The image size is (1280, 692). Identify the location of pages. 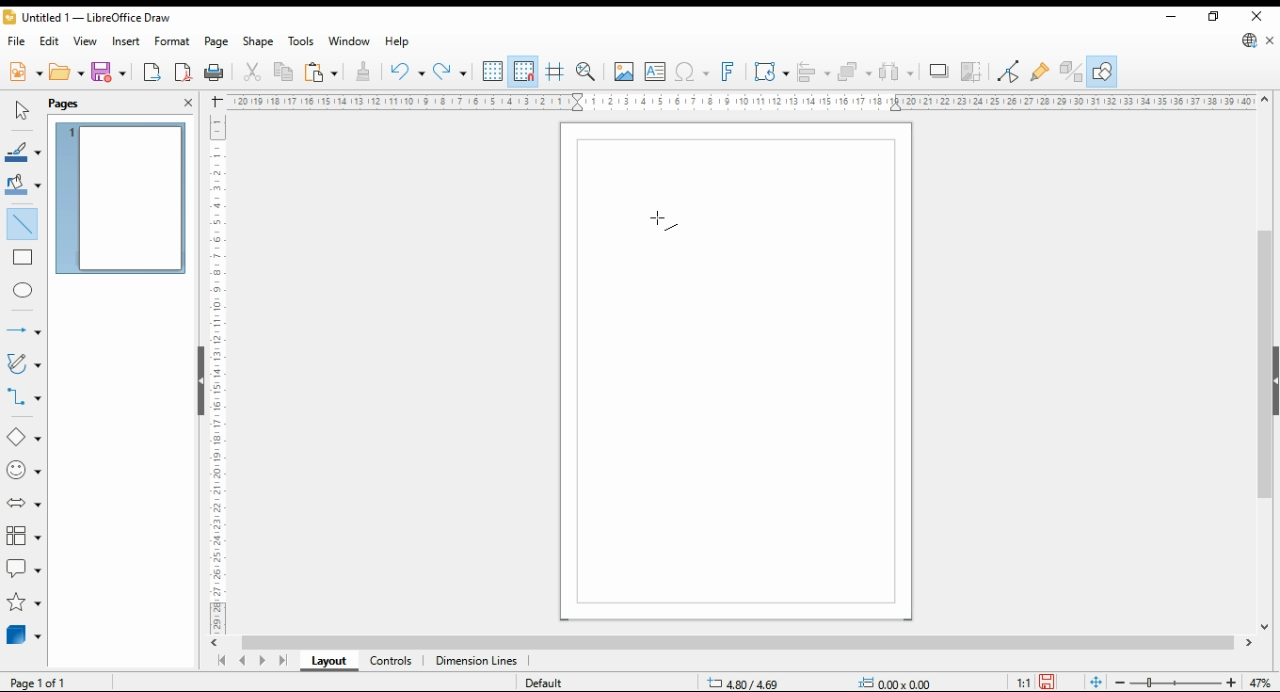
(73, 103).